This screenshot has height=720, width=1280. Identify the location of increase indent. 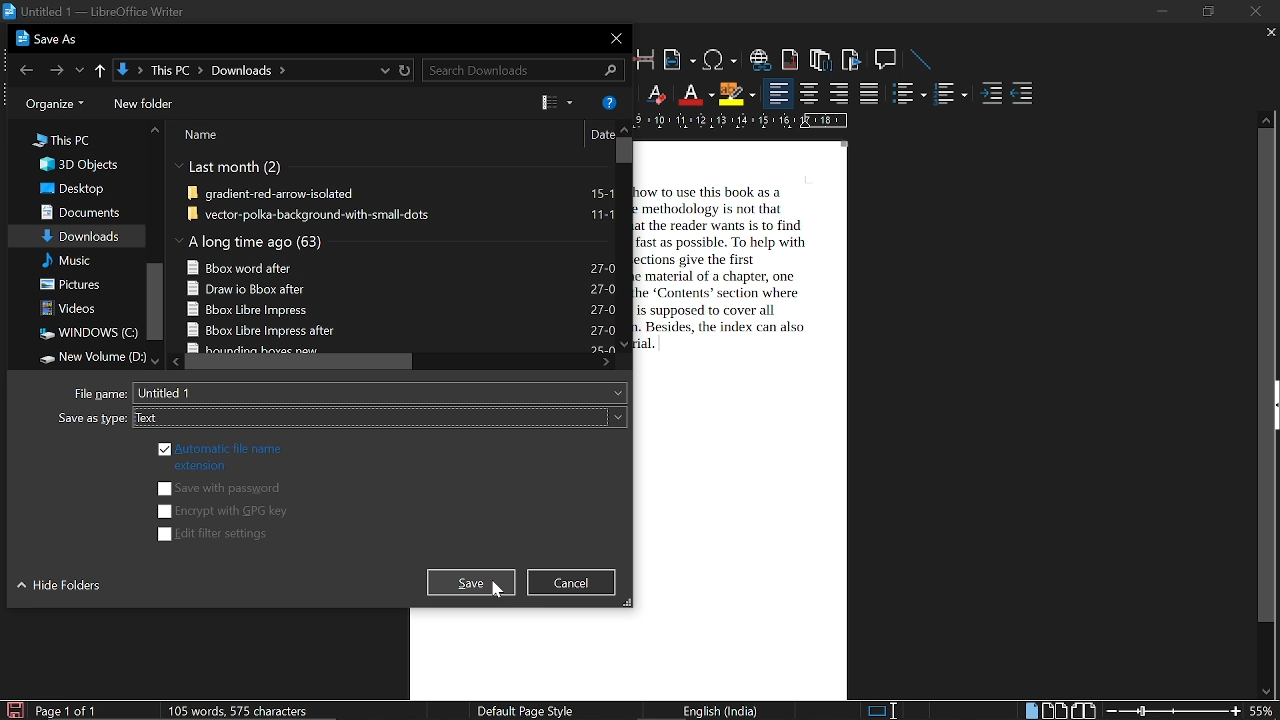
(991, 94).